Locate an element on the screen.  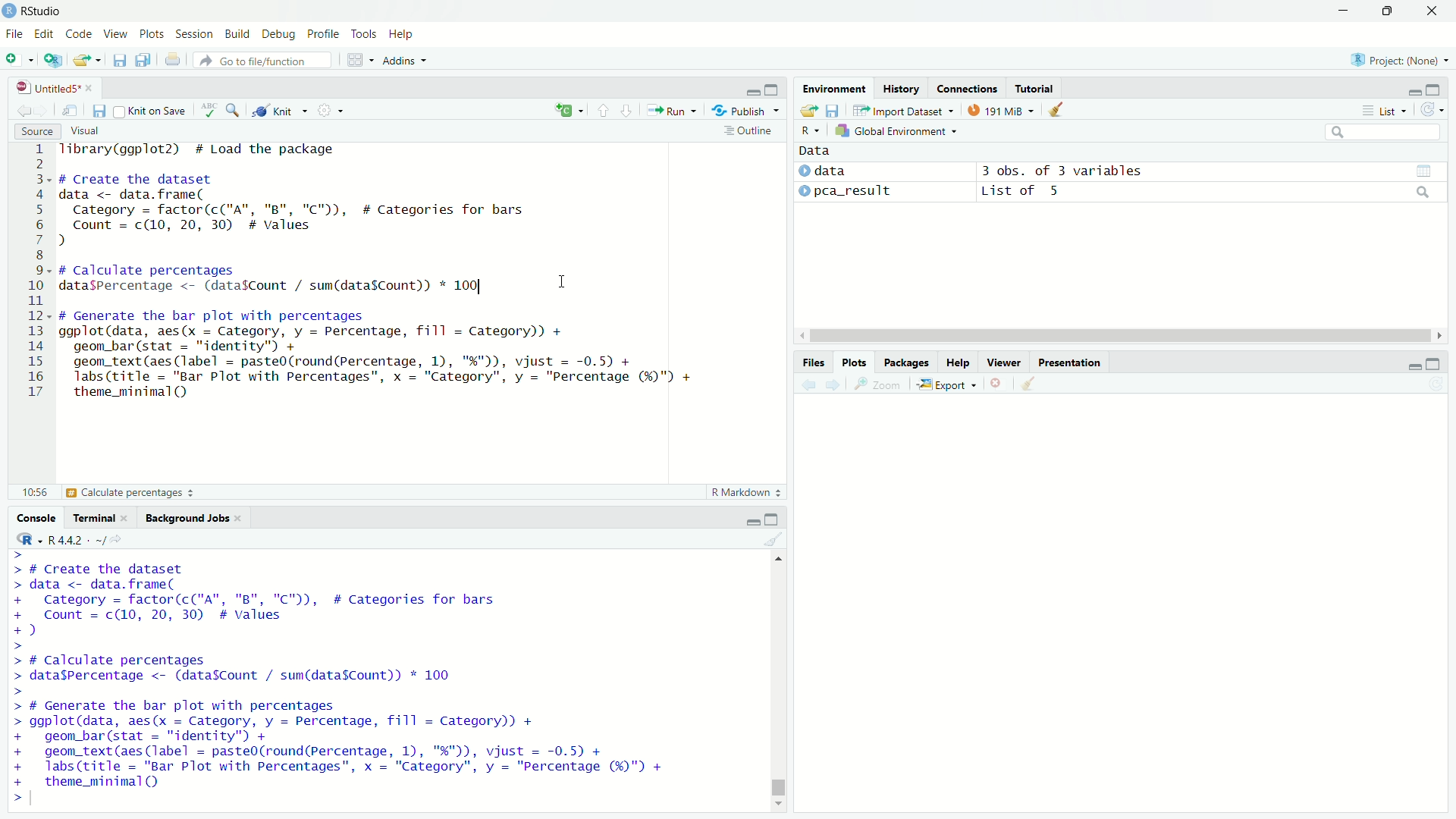
save is located at coordinates (118, 60).